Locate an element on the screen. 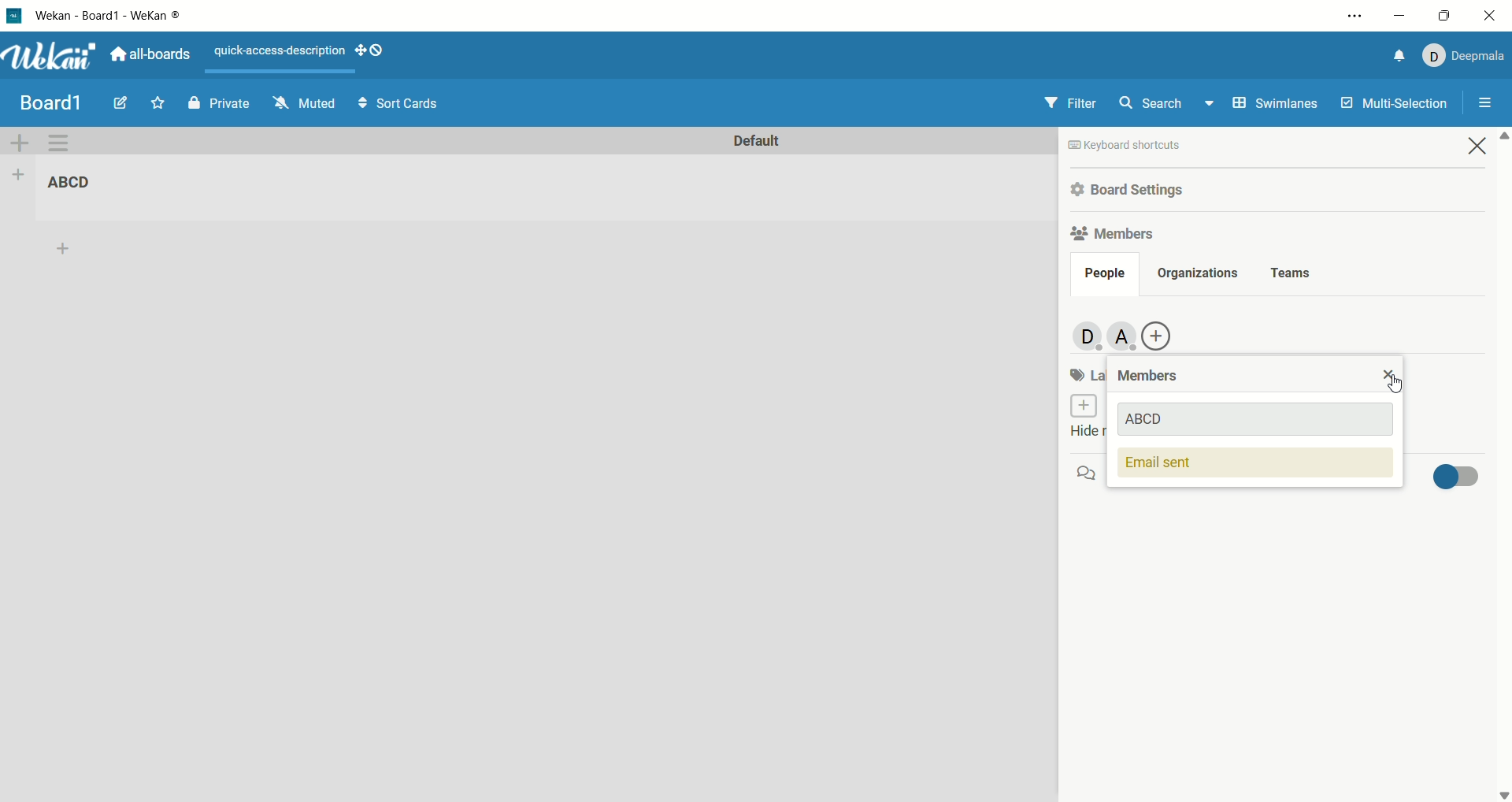 Image resolution: width=1512 pixels, height=802 pixels. notification is located at coordinates (1401, 56).